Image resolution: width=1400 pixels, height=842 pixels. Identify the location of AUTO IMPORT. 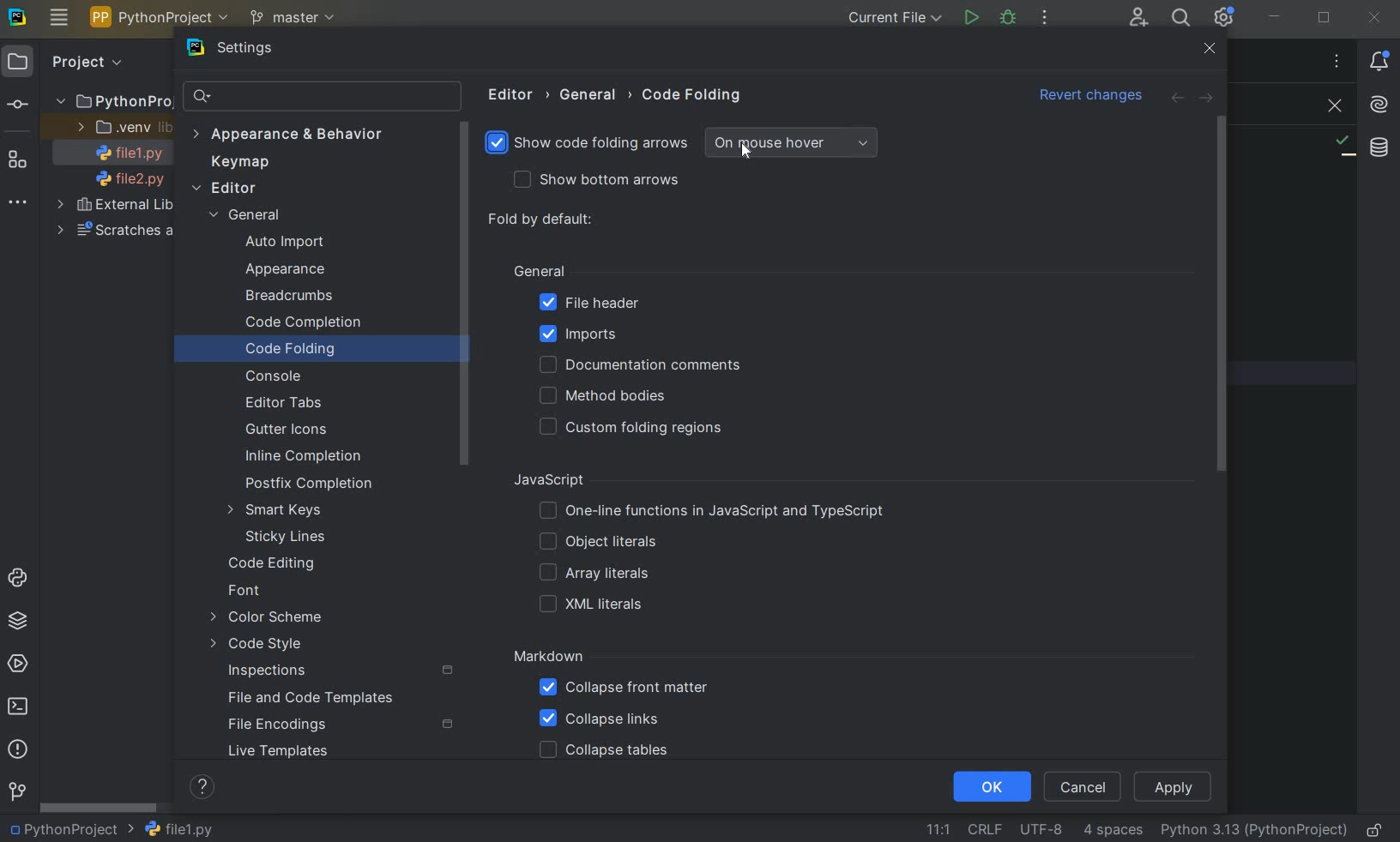
(284, 243).